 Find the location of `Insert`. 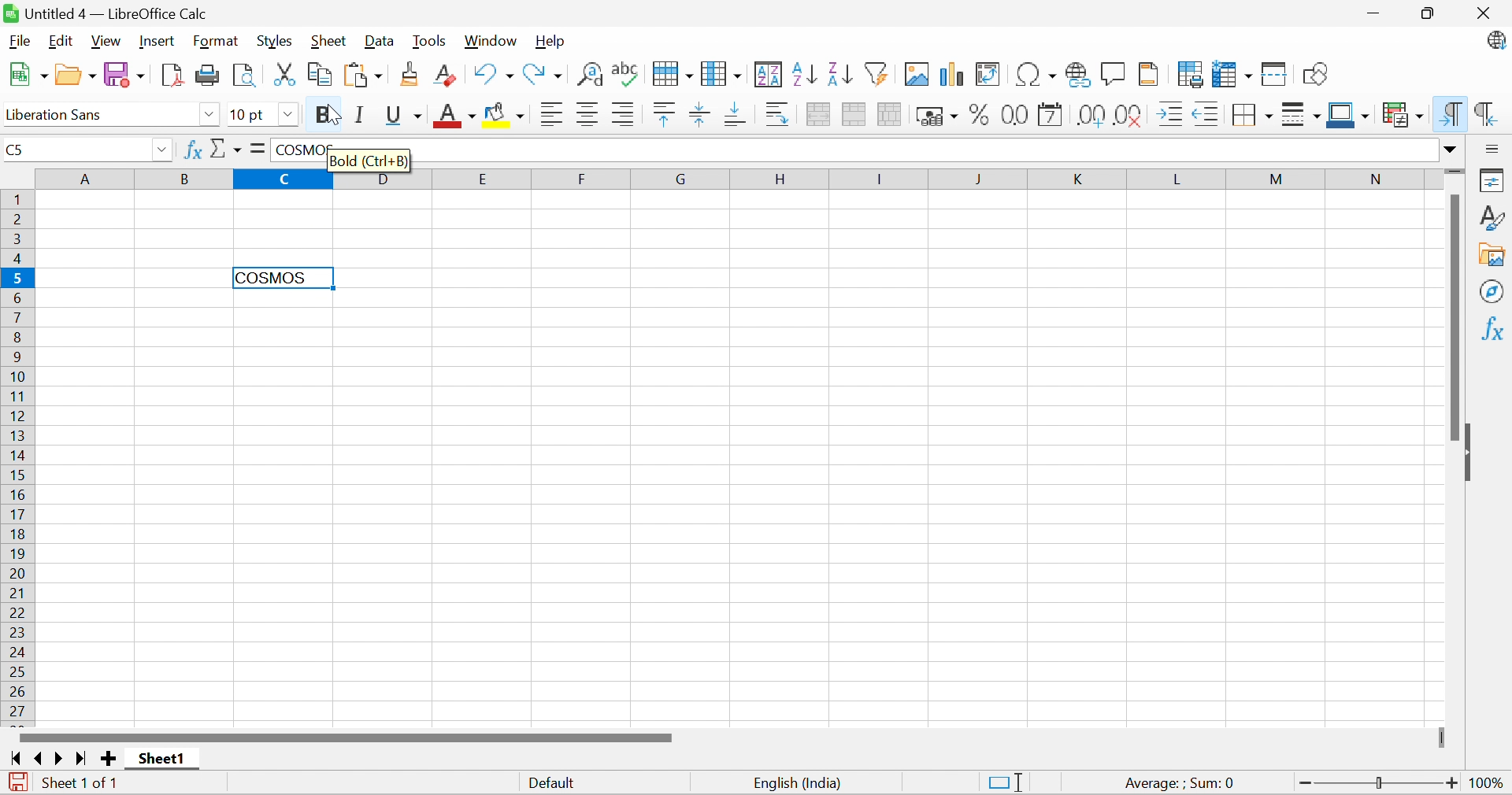

Insert is located at coordinates (158, 40).